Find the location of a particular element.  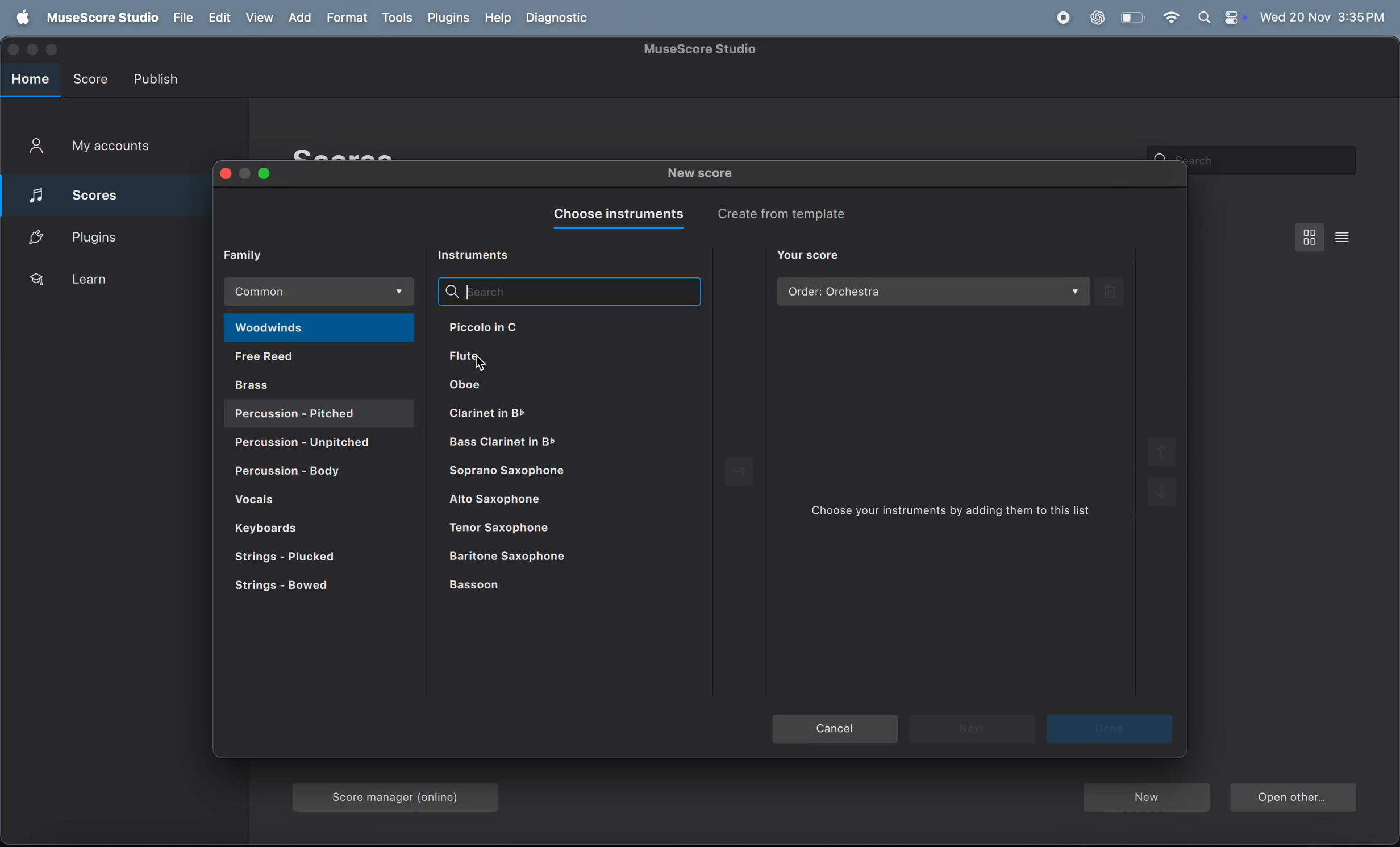

apple widgets is located at coordinates (1221, 18).